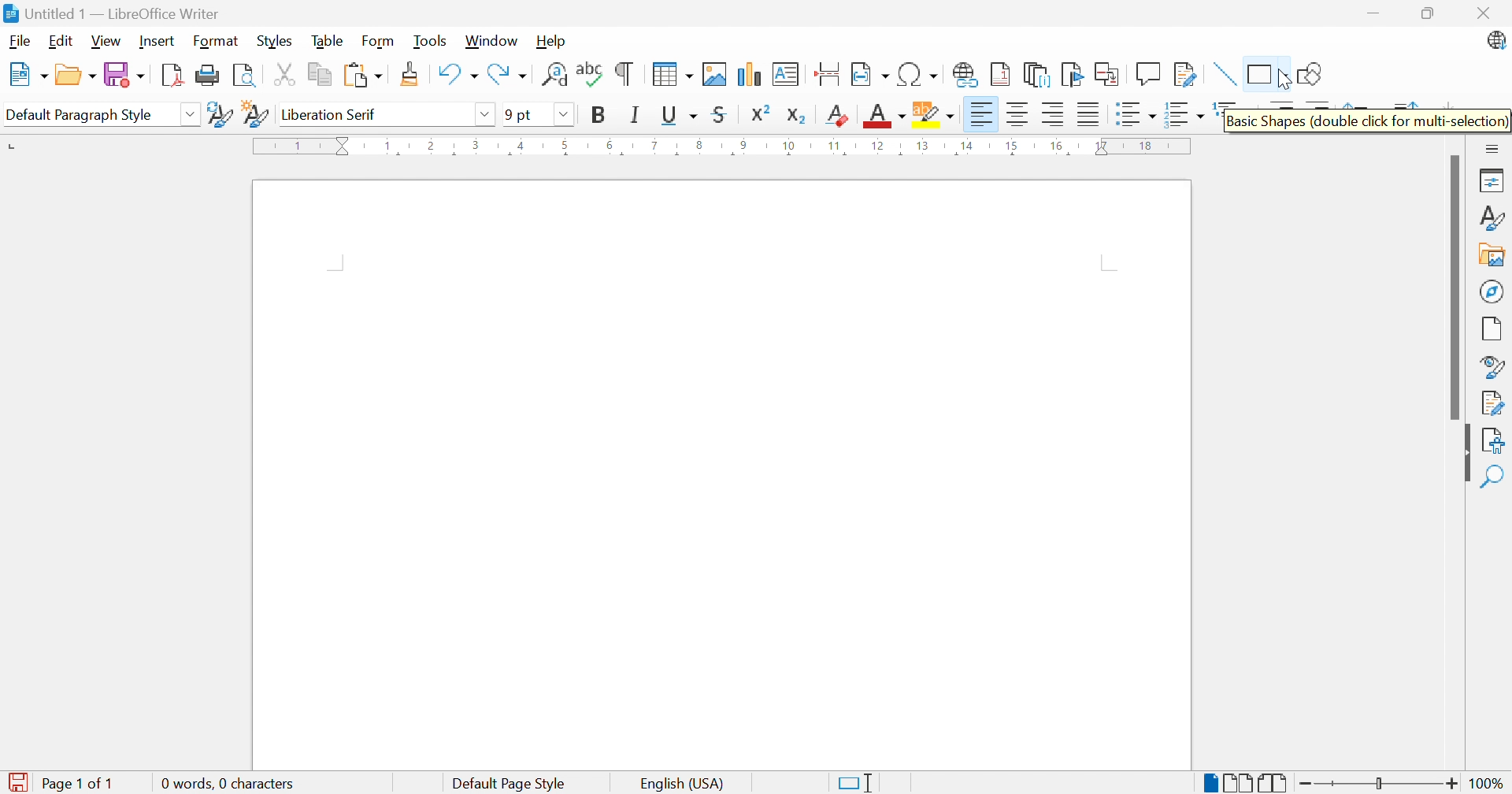  Describe the element at coordinates (1493, 149) in the screenshot. I see `Sidebar settings` at that location.